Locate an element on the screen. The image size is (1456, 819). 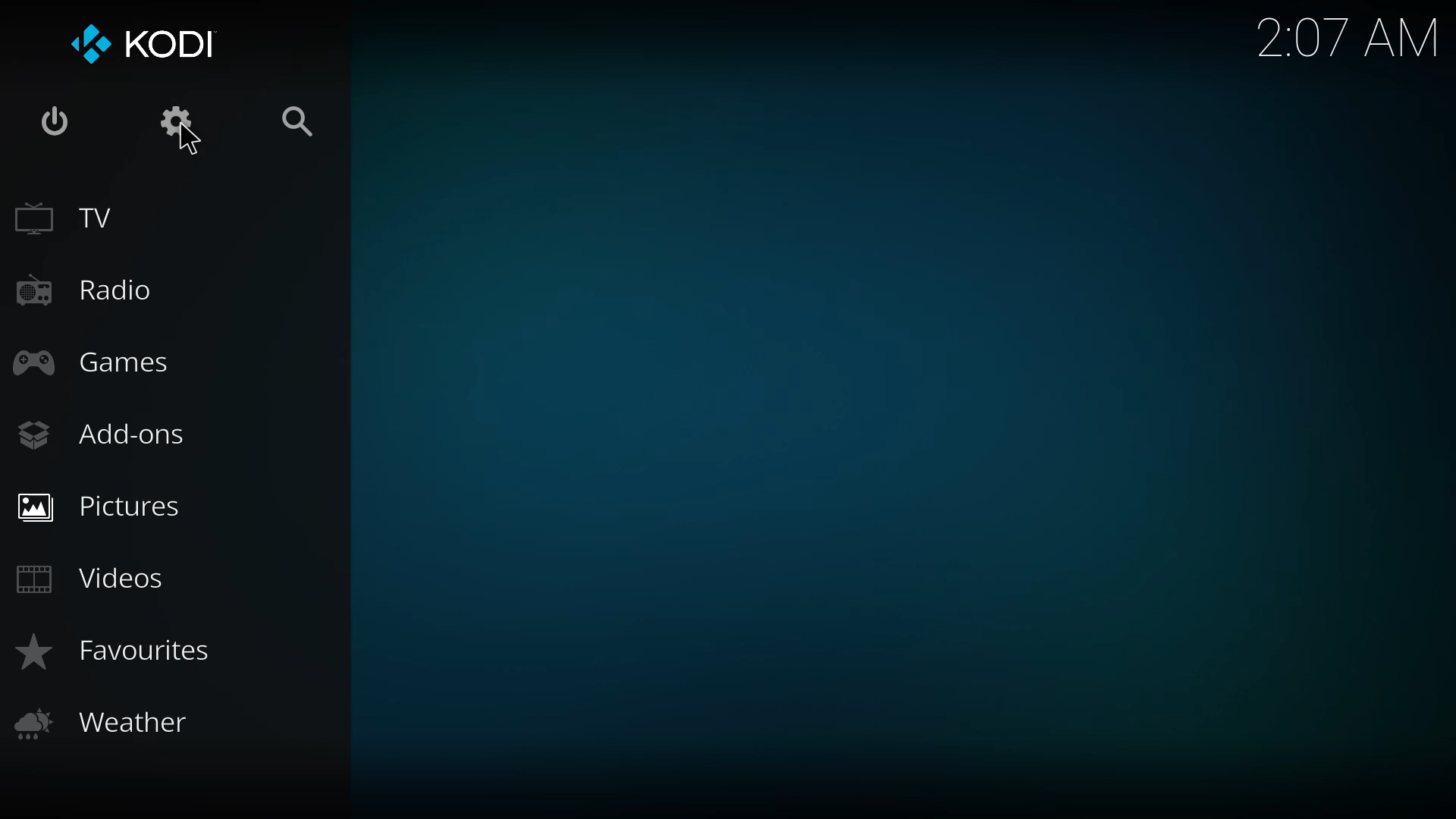
pictures is located at coordinates (102, 504).